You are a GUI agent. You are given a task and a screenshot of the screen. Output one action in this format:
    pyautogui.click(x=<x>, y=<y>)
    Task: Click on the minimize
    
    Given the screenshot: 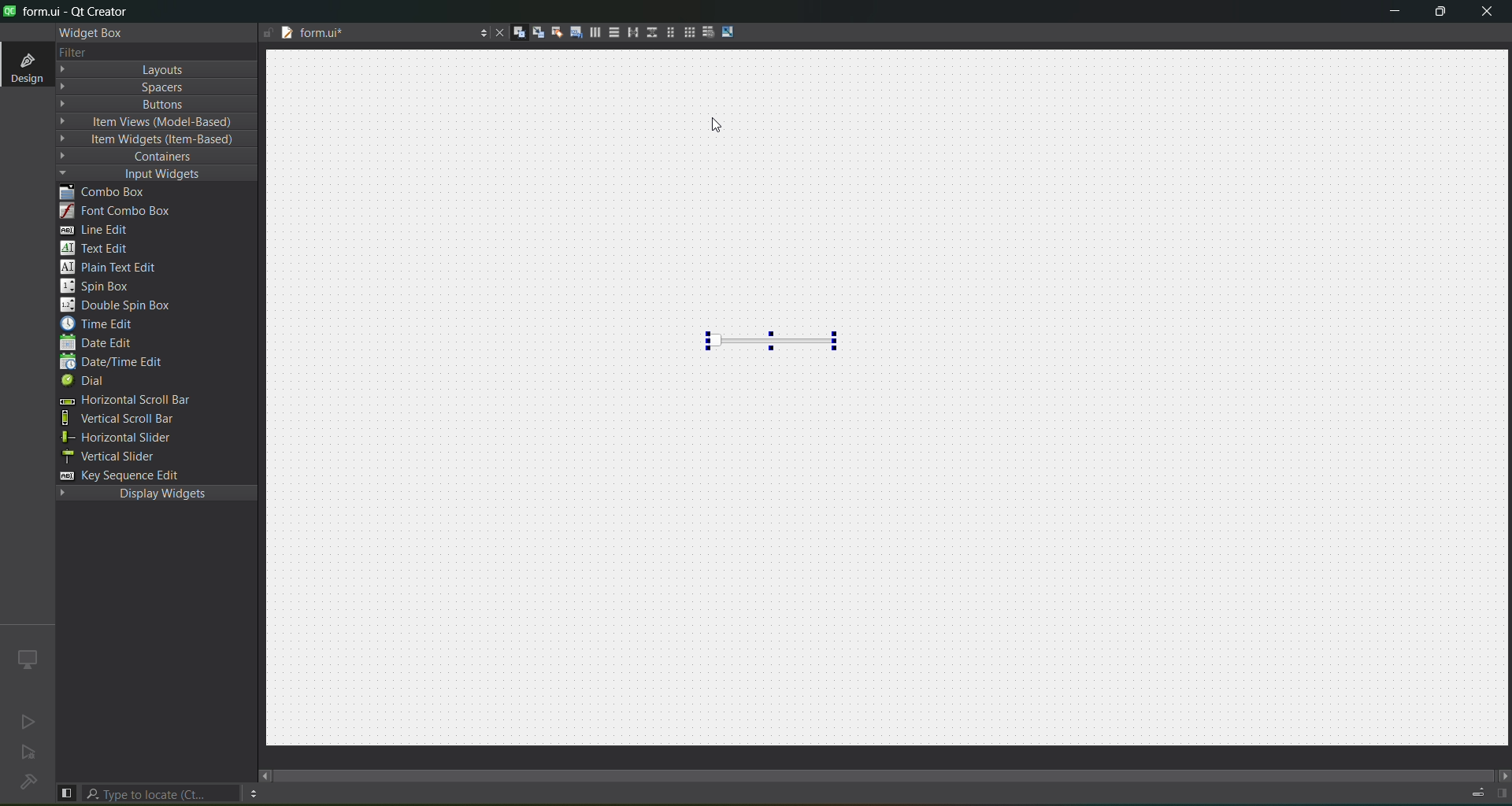 What is the action you would take?
    pyautogui.click(x=1388, y=14)
    